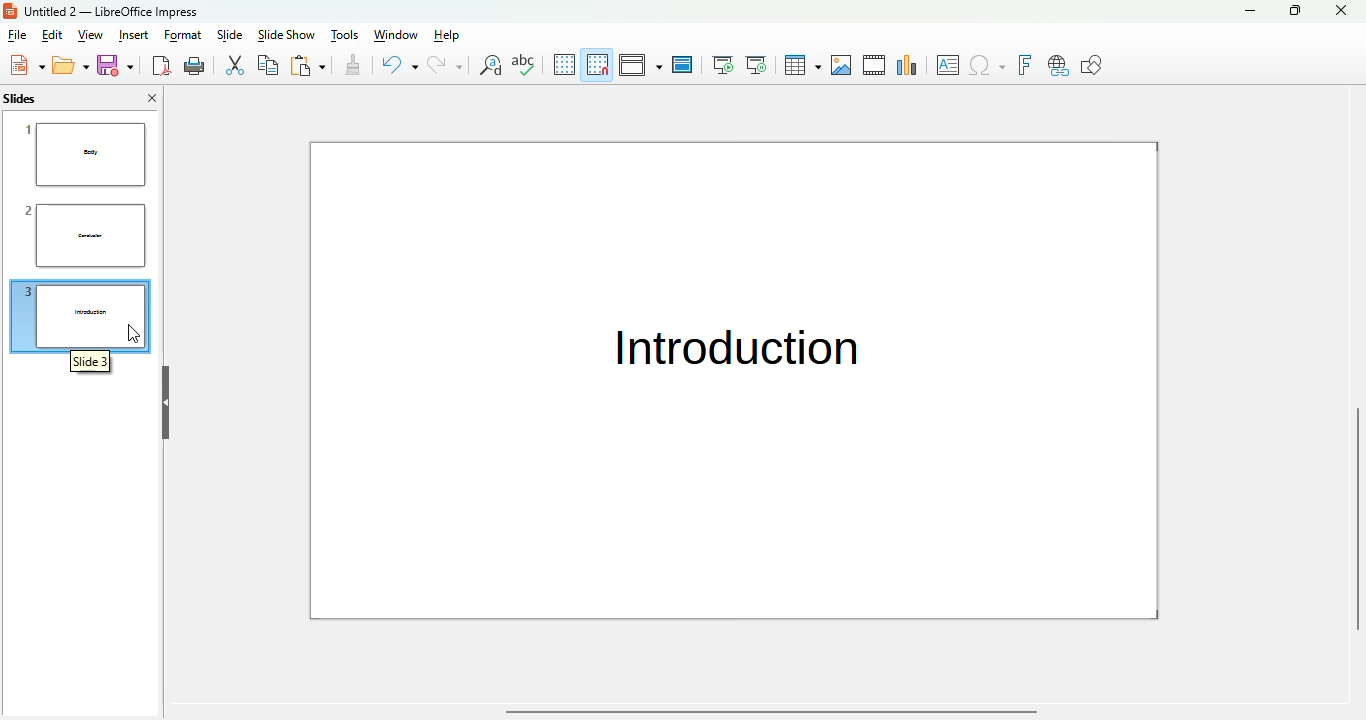  What do you see at coordinates (115, 65) in the screenshot?
I see `save` at bounding box center [115, 65].